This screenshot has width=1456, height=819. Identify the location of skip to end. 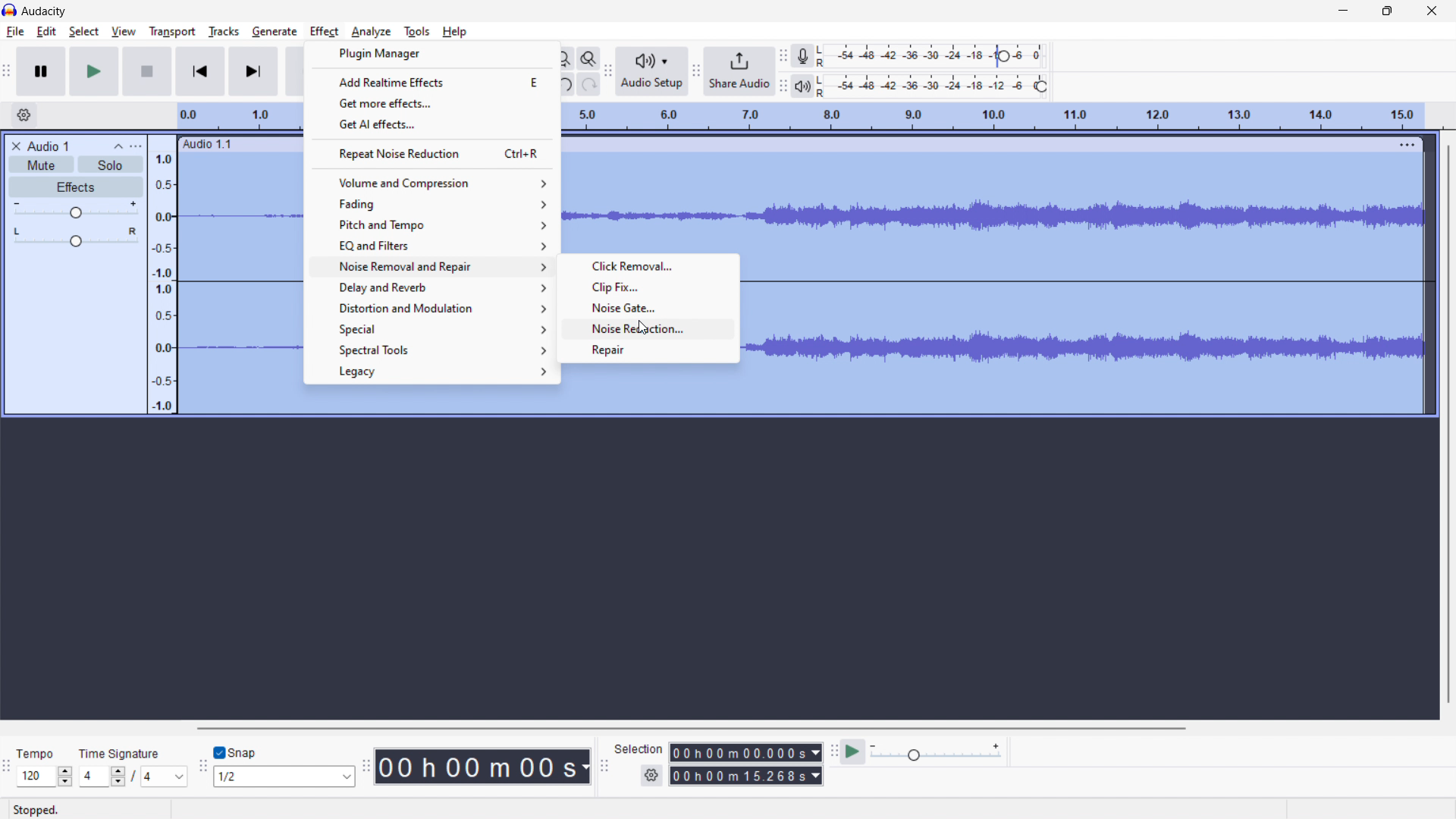
(253, 71).